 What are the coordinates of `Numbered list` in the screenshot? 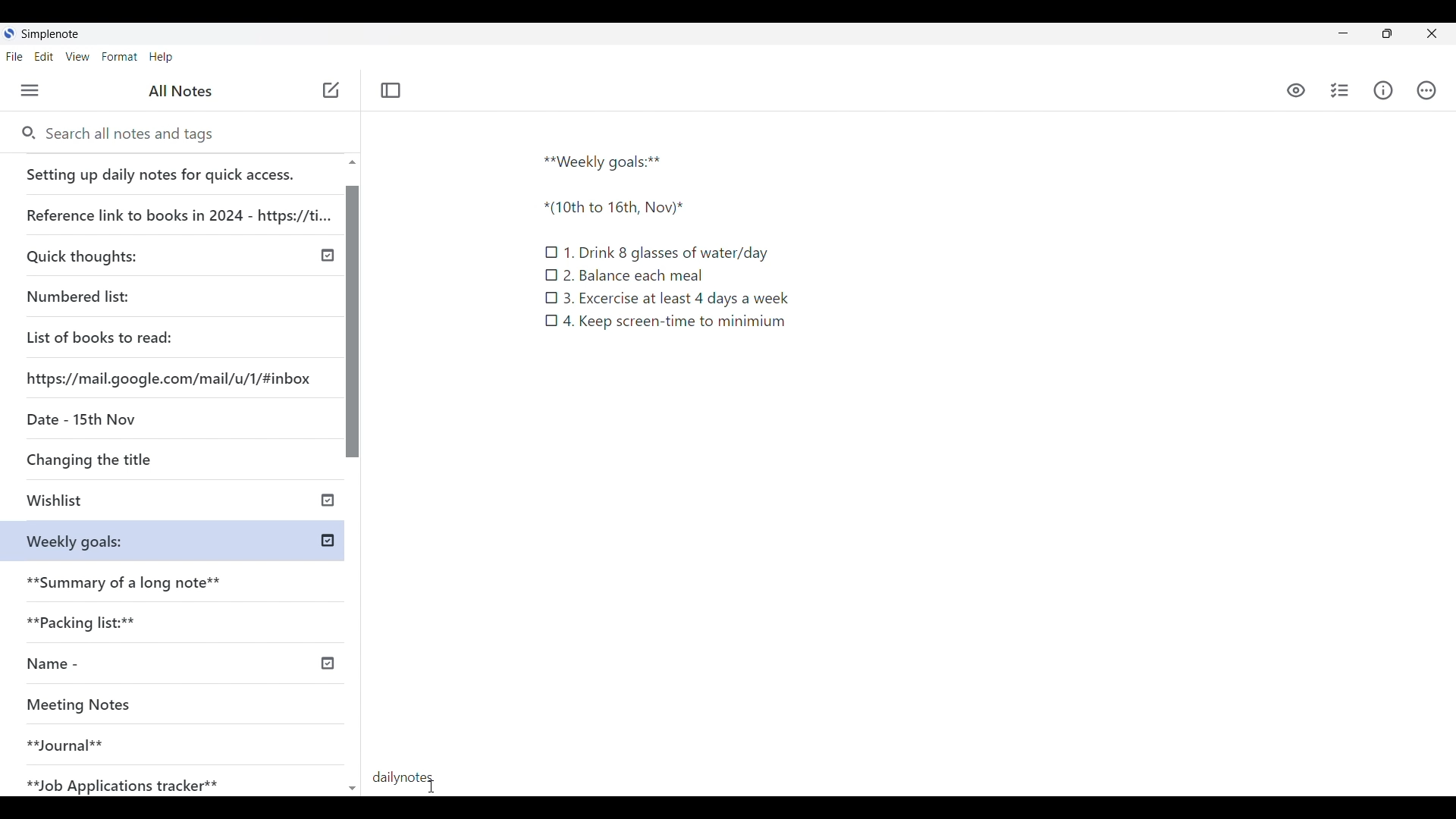 It's located at (121, 293).